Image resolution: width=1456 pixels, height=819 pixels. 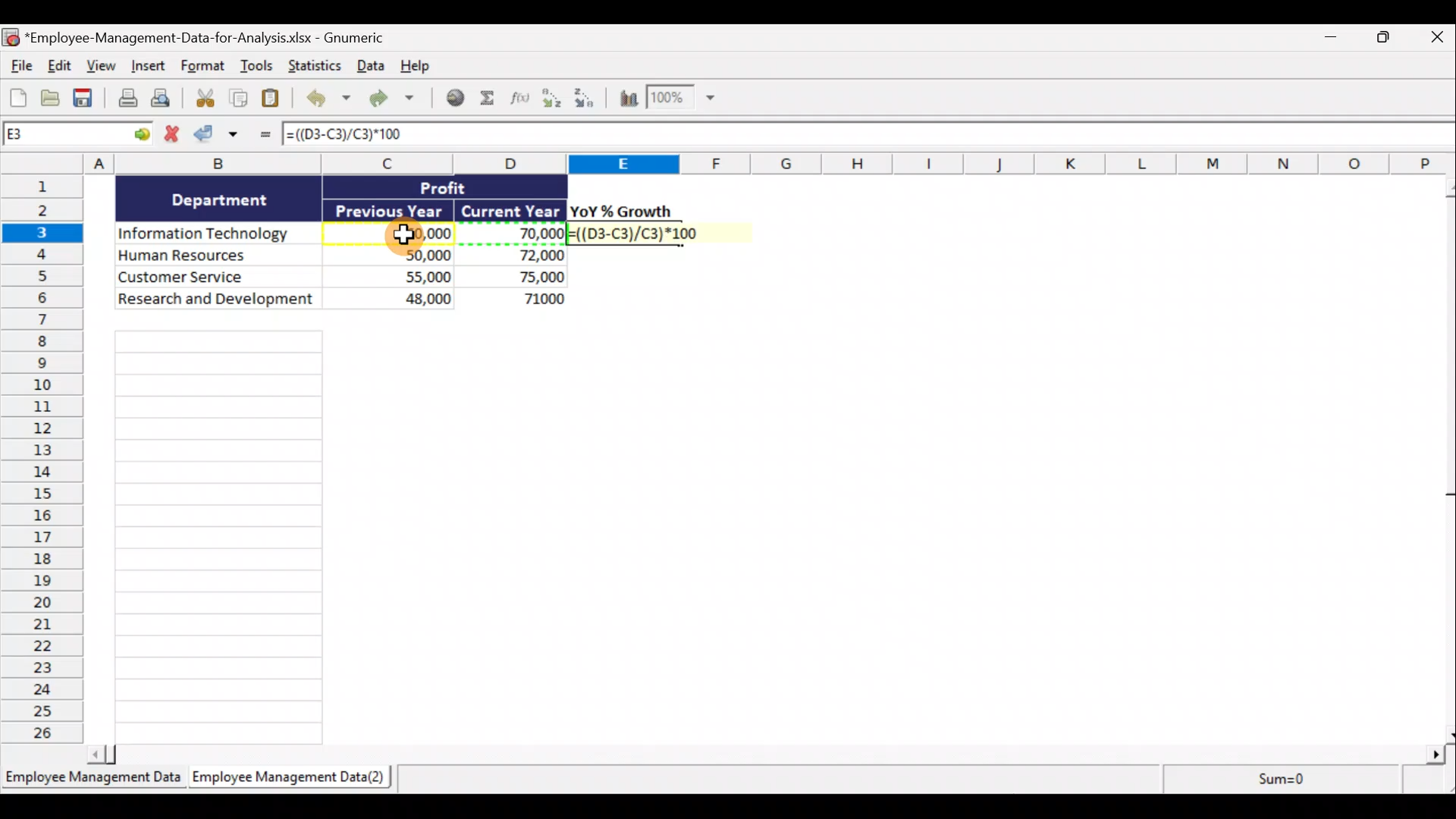 I want to click on Statistics, so click(x=312, y=66).